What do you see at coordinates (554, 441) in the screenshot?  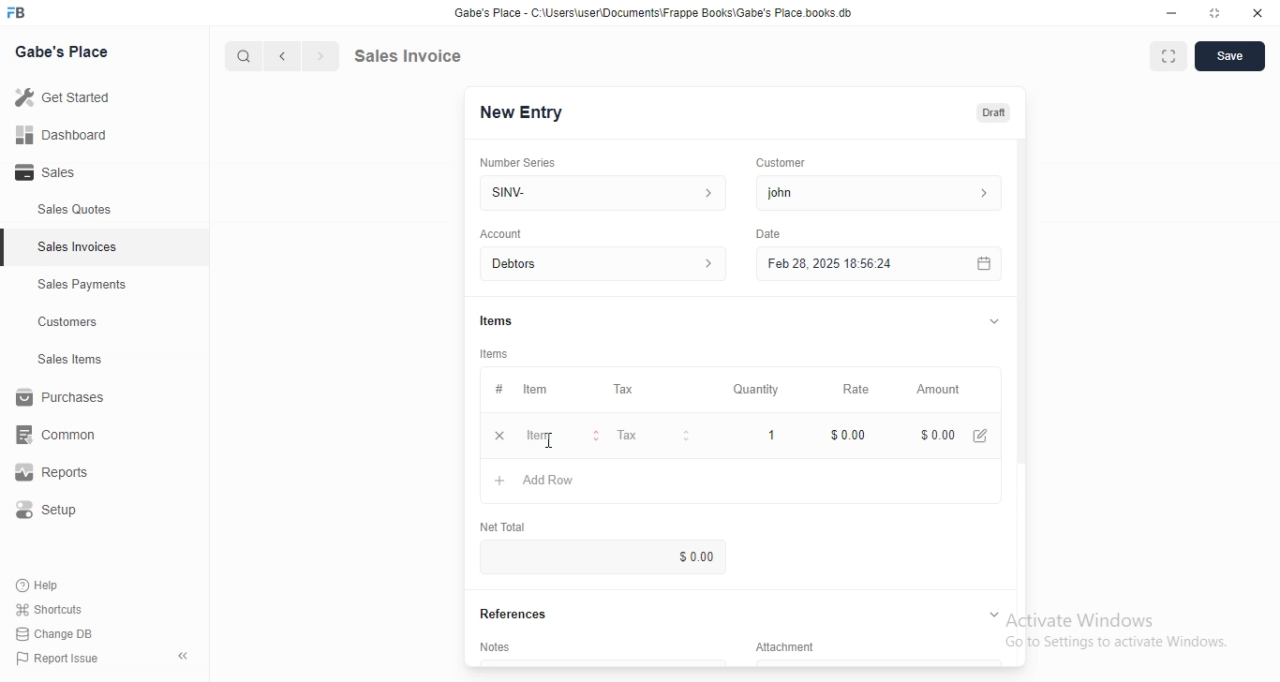 I see `cursor` at bounding box center [554, 441].